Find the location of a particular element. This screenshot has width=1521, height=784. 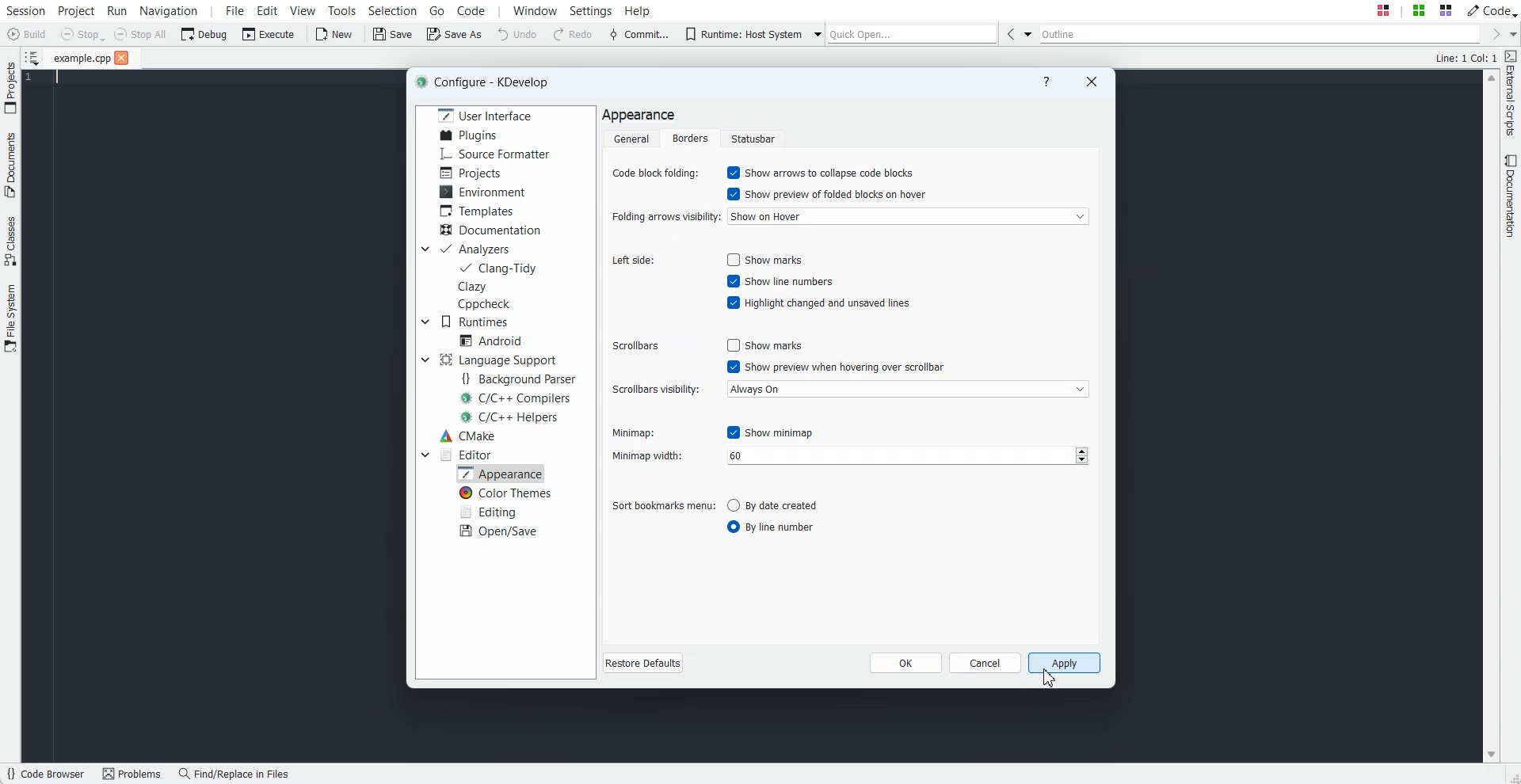

Drop down box is located at coordinates (814, 33).